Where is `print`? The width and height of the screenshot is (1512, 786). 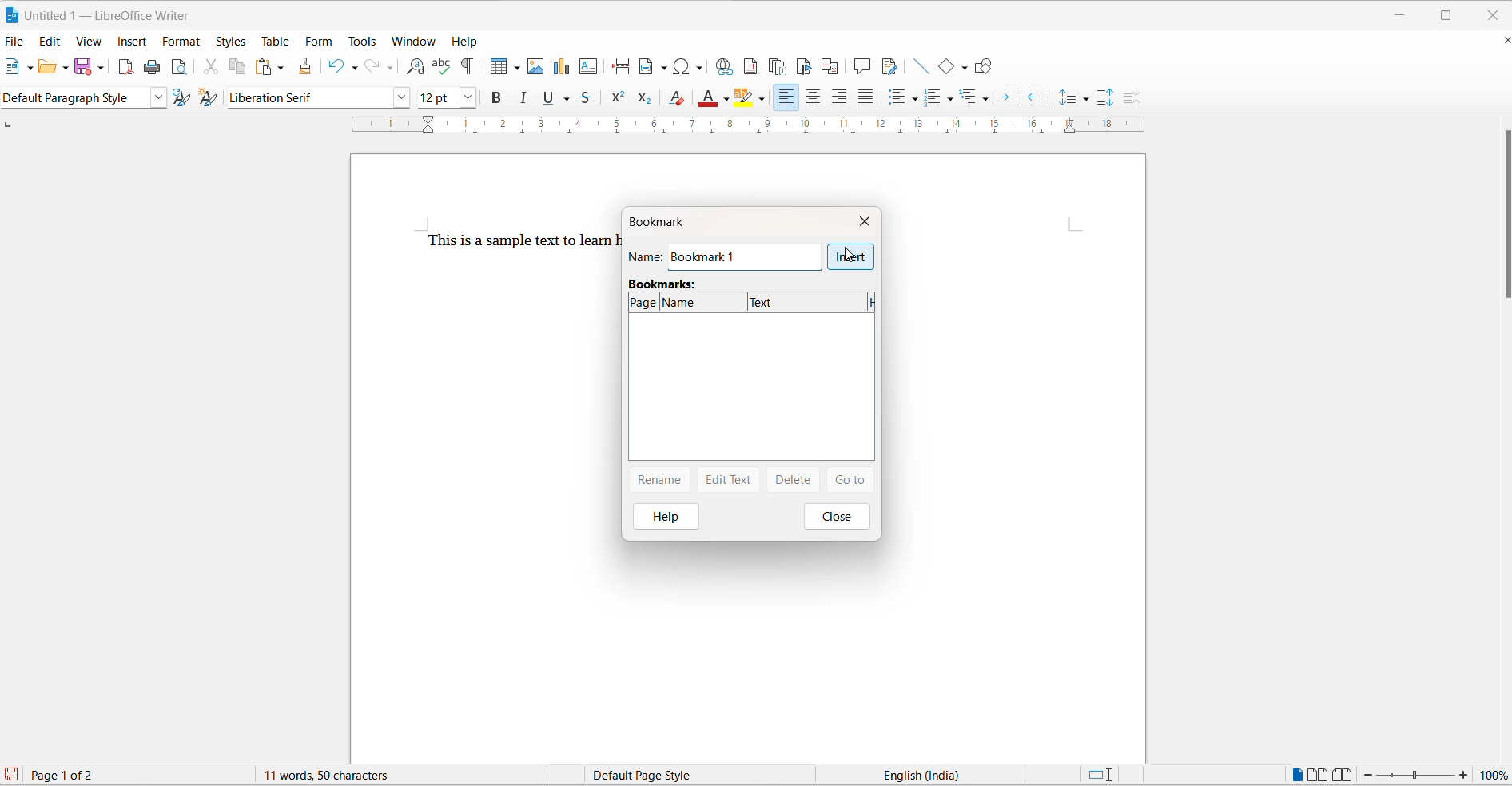 print is located at coordinates (154, 66).